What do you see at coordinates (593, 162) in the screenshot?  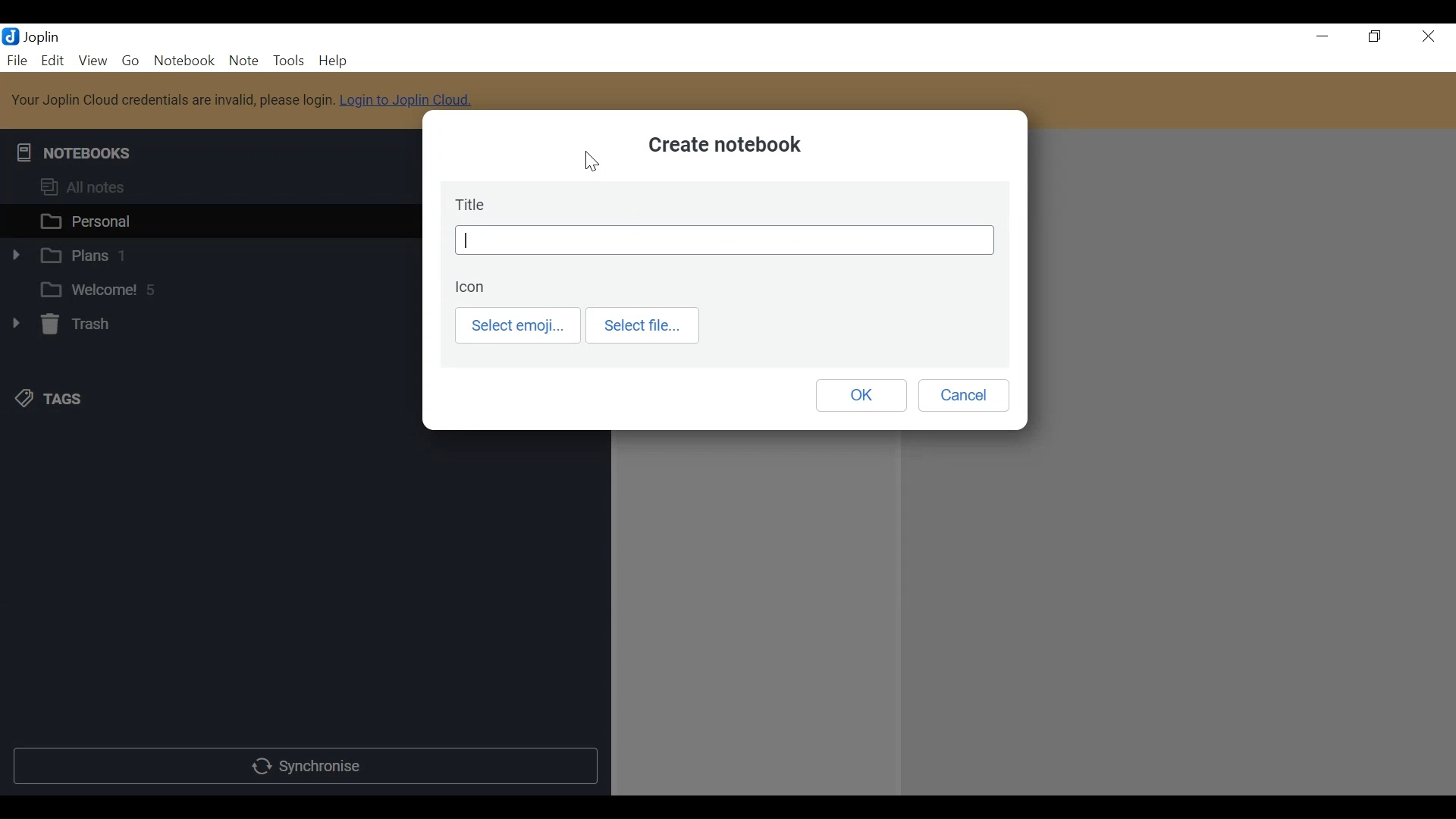 I see `Cursor` at bounding box center [593, 162].